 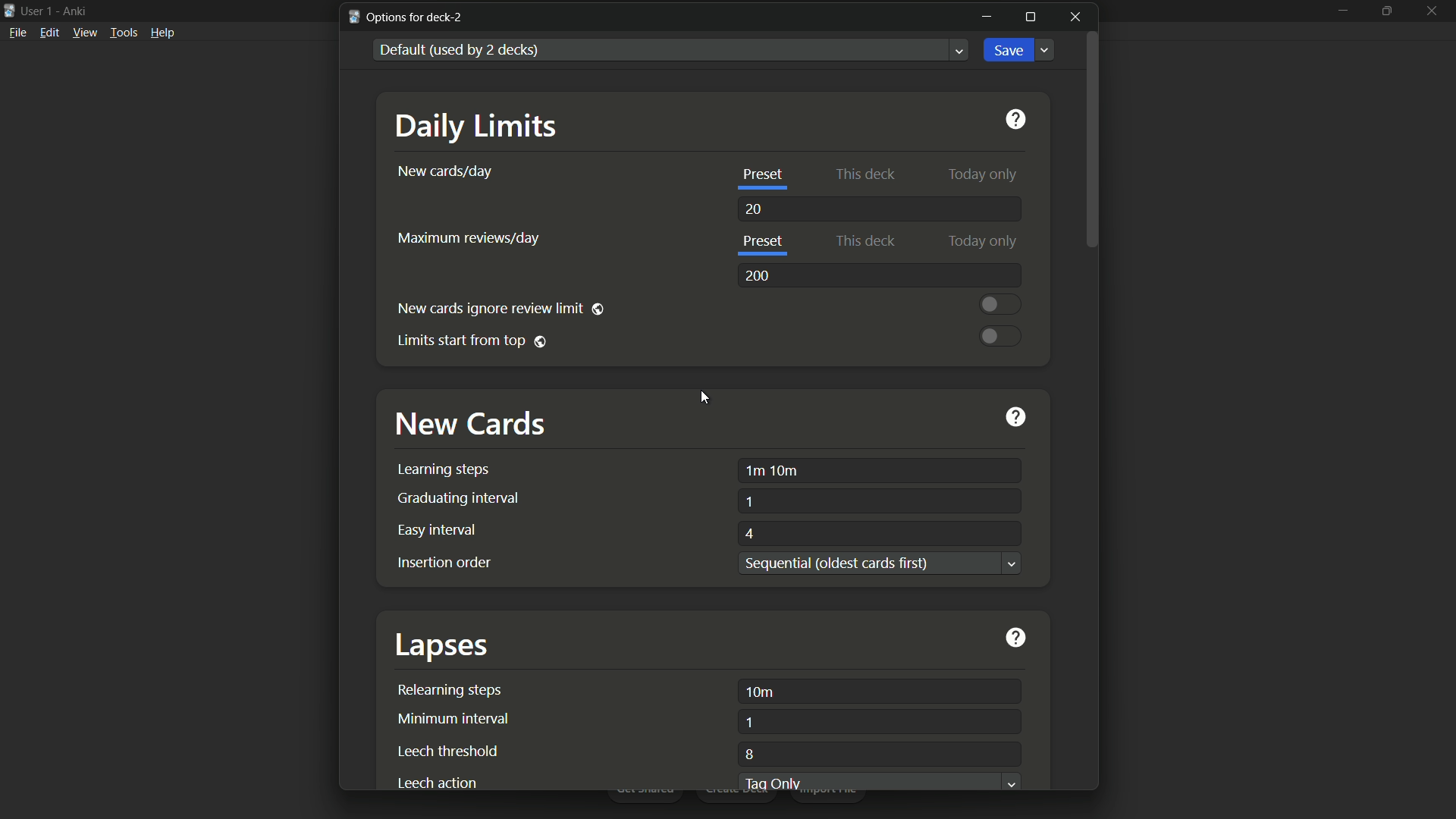 What do you see at coordinates (754, 211) in the screenshot?
I see `20` at bounding box center [754, 211].